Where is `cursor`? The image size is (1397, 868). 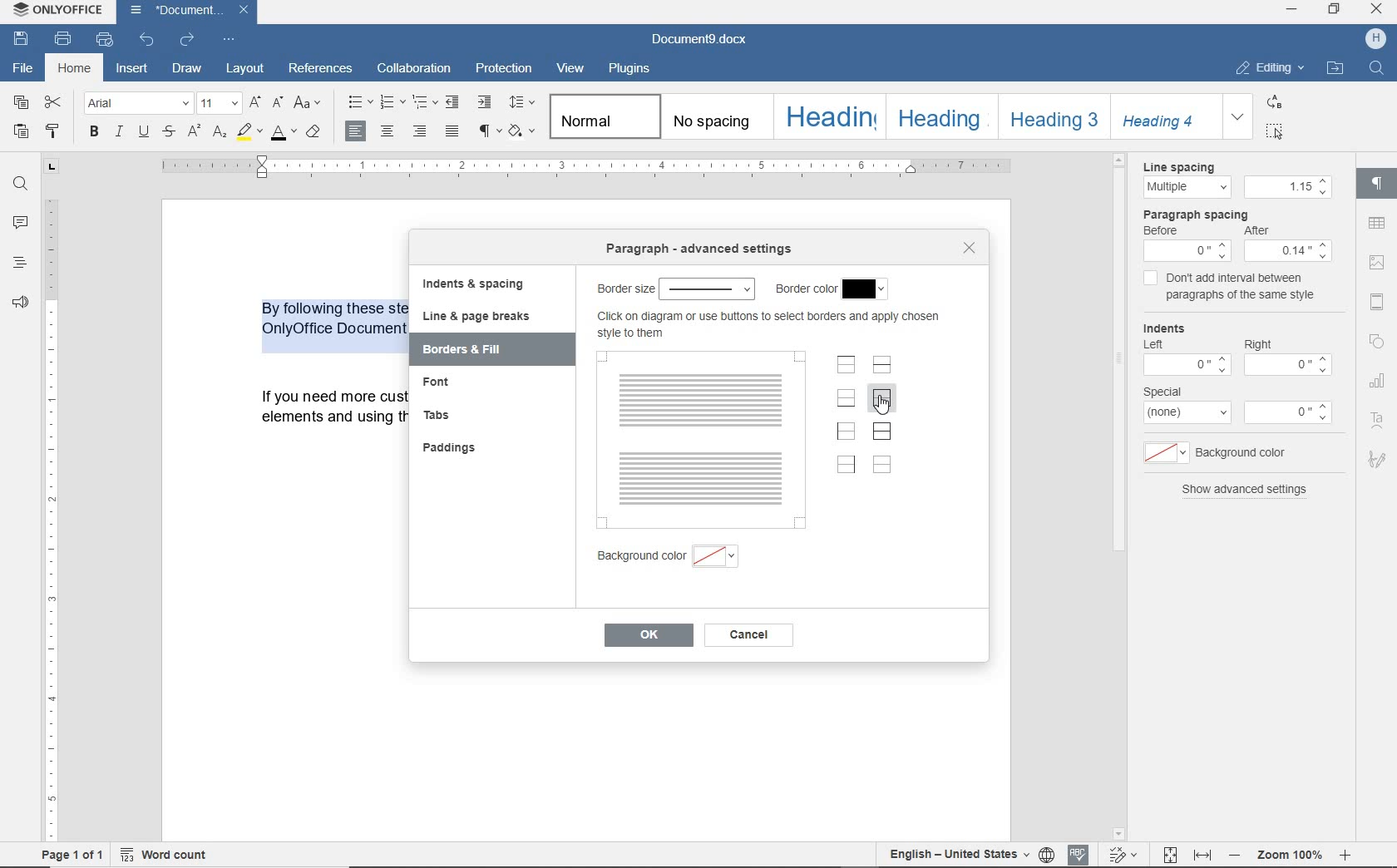 cursor is located at coordinates (902, 411).